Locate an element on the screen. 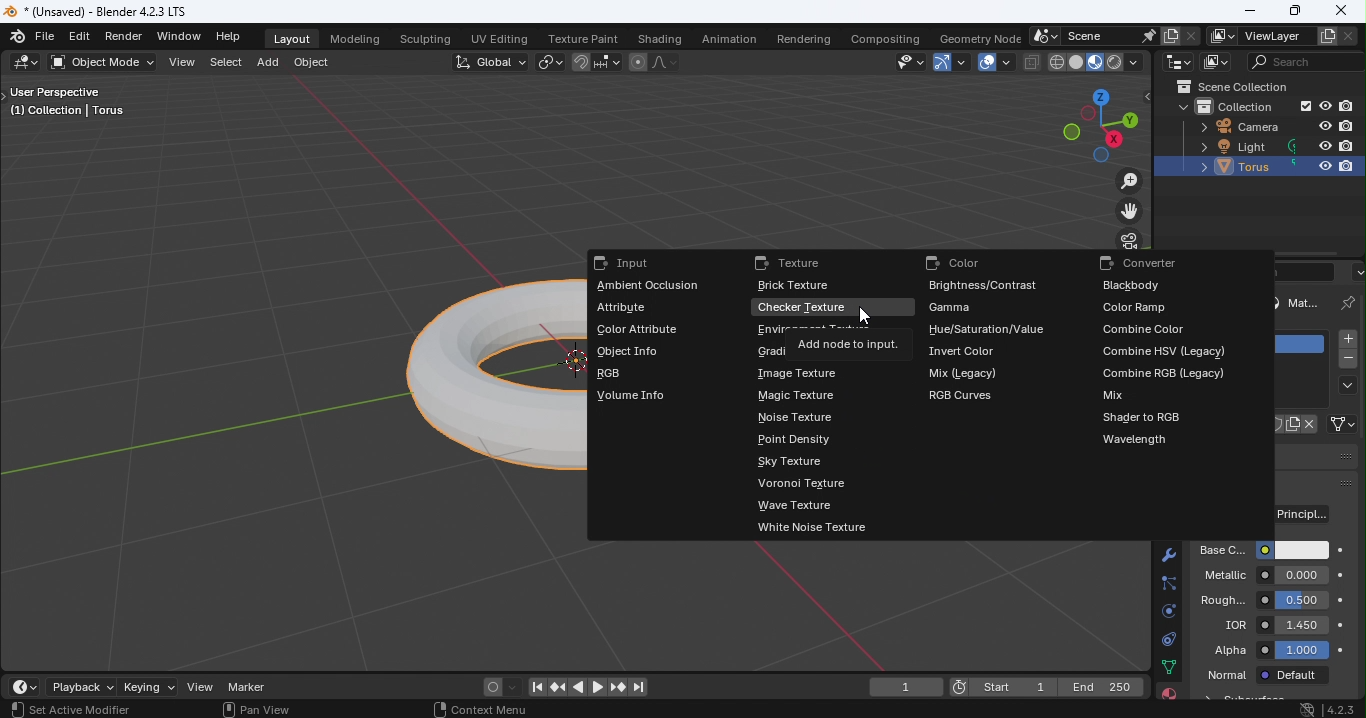 The width and height of the screenshot is (1366, 718). gradi is located at coordinates (773, 351).